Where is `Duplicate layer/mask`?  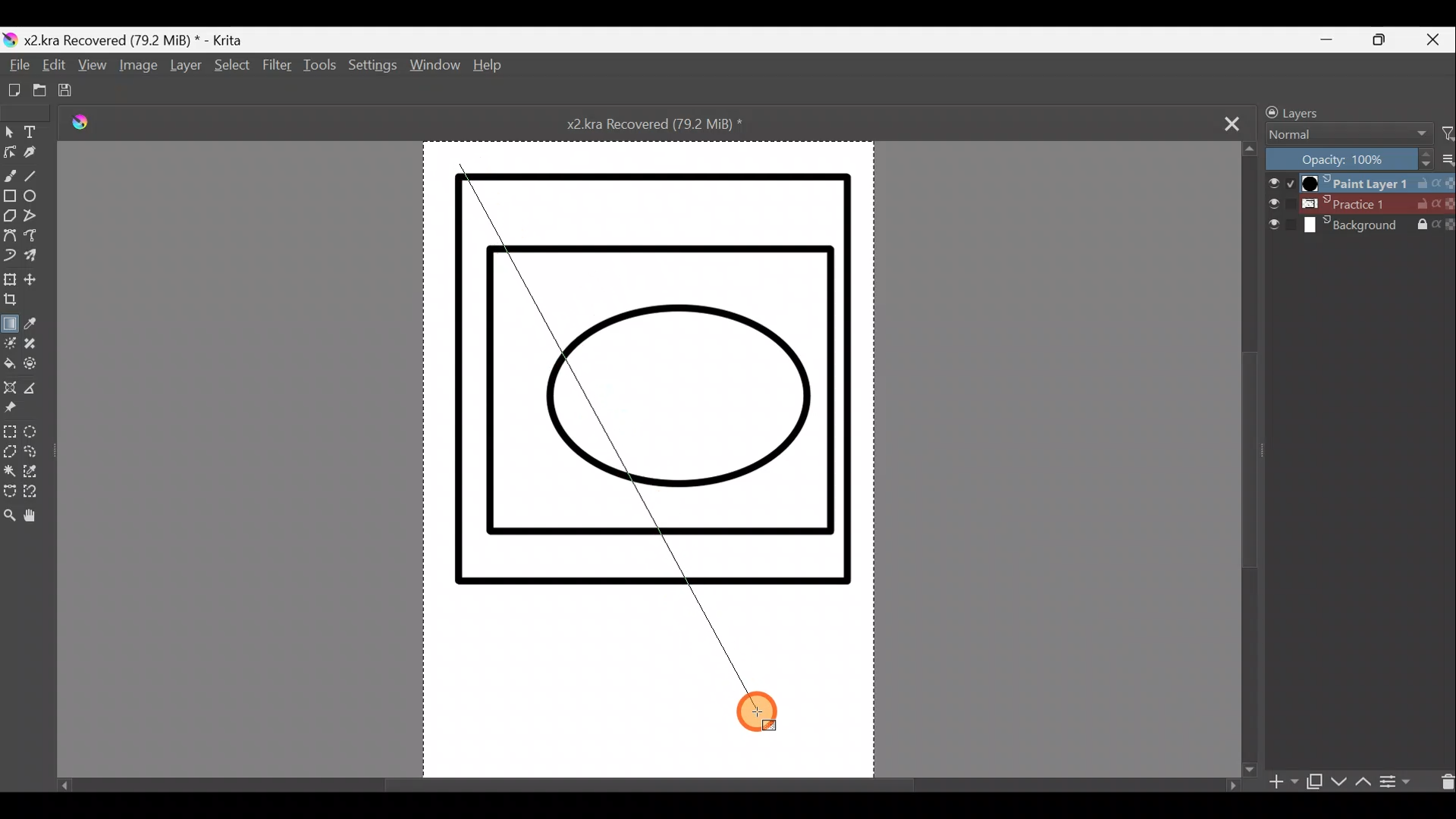
Duplicate layer/mask is located at coordinates (1314, 785).